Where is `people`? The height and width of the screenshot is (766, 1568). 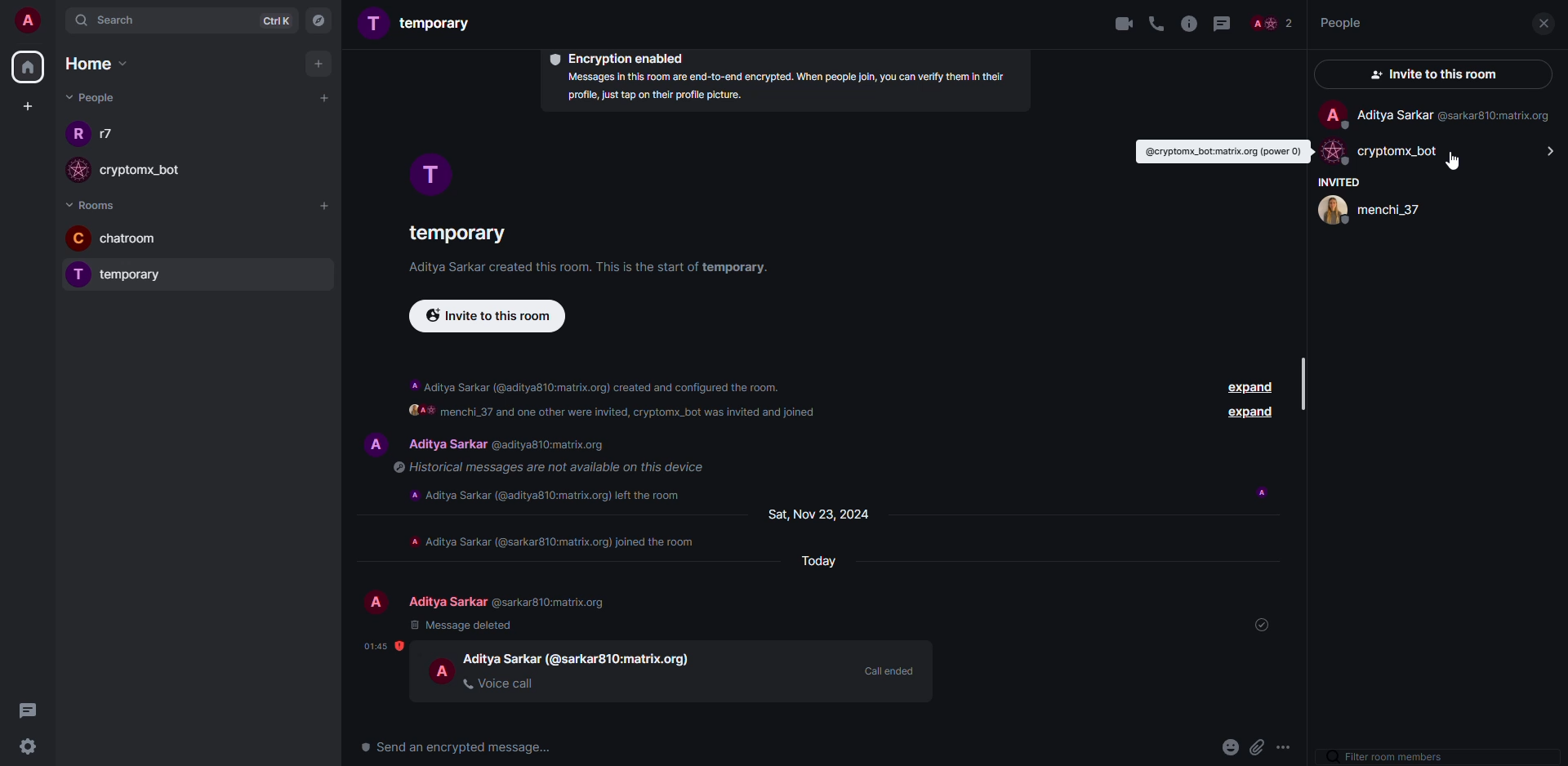 people is located at coordinates (1455, 116).